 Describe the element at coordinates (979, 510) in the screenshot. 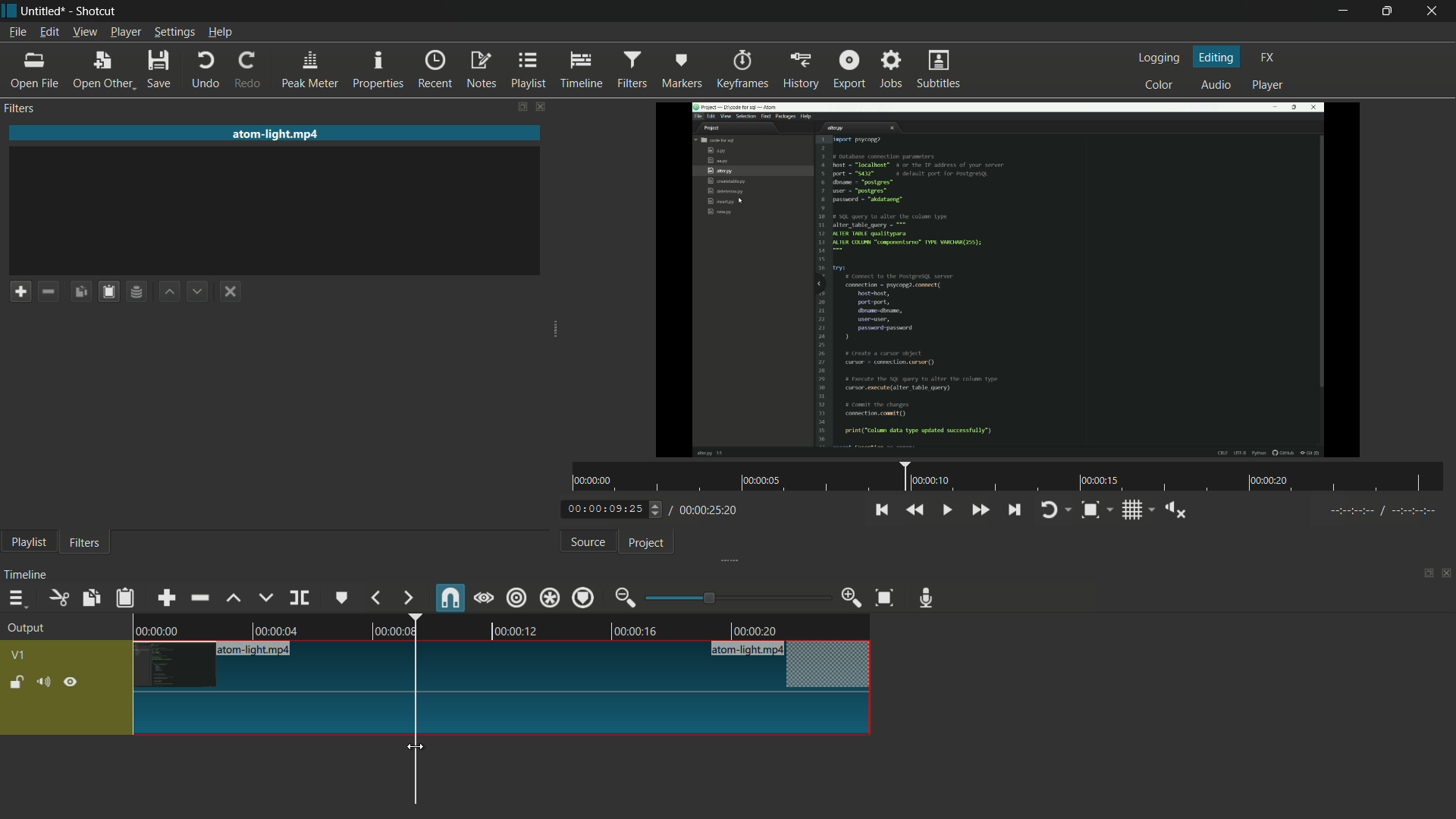

I see `quickly play forward` at that location.